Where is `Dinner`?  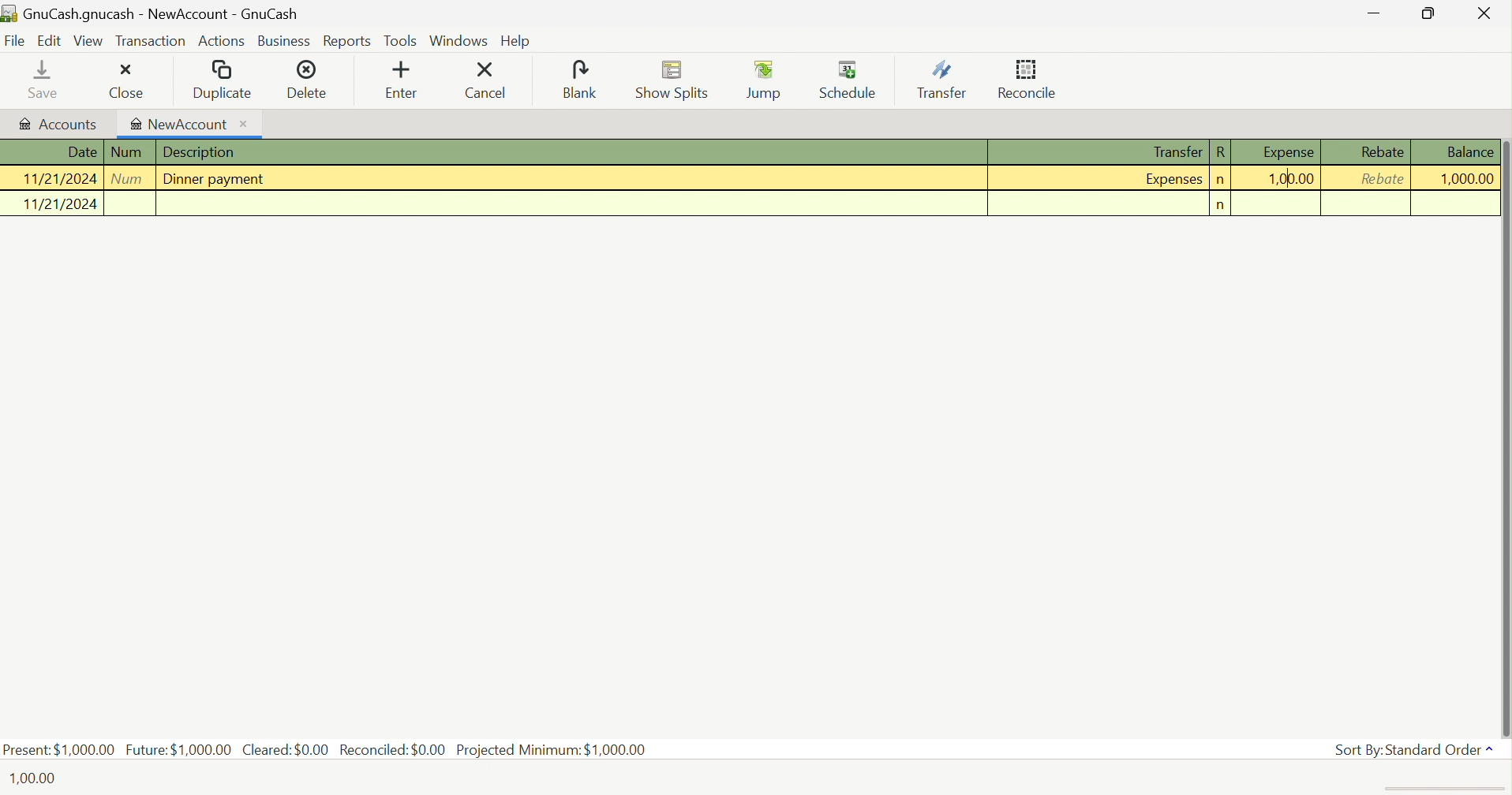
Dinner is located at coordinates (219, 179).